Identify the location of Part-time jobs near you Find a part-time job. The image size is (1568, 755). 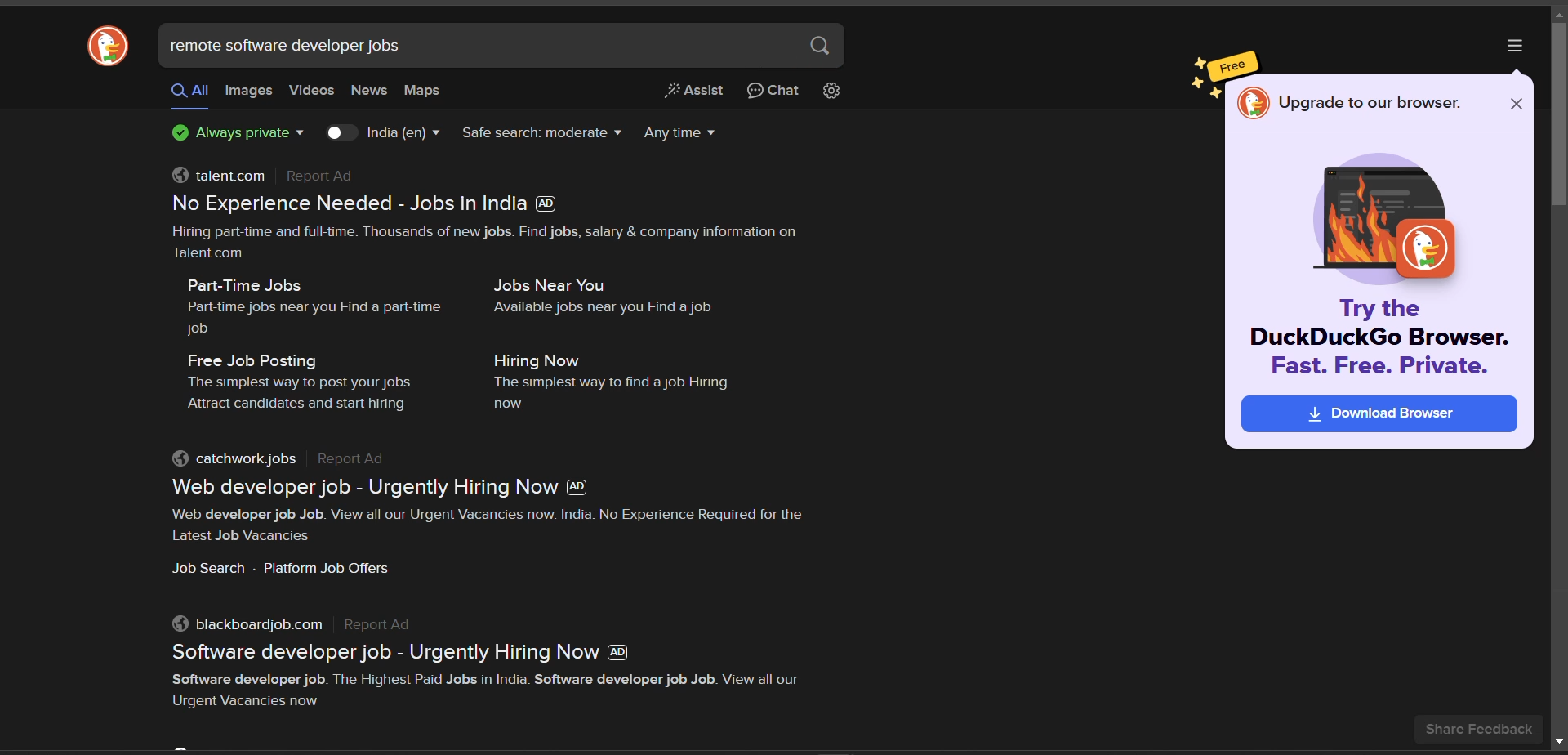
(306, 319).